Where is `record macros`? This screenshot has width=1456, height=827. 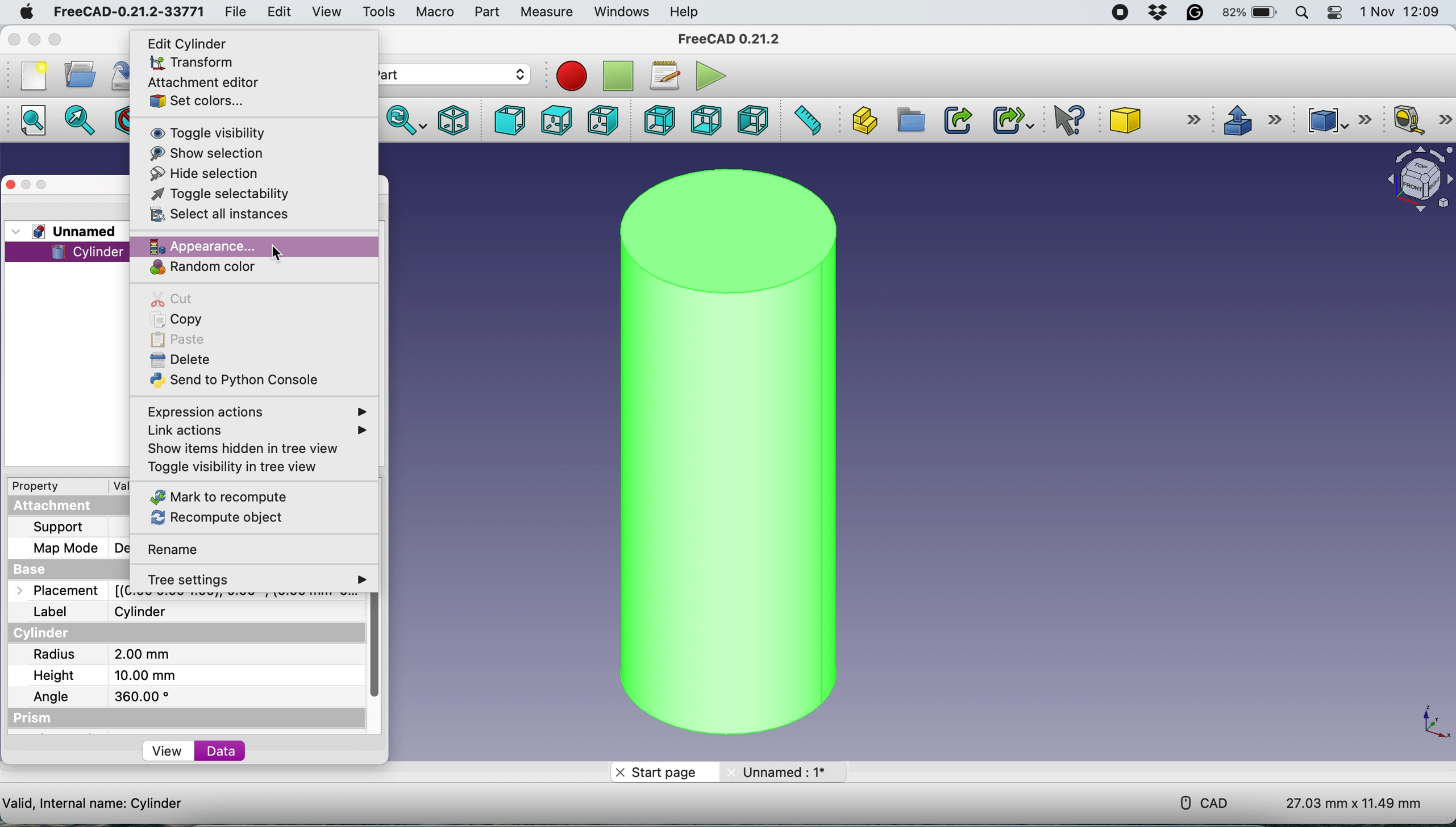 record macros is located at coordinates (570, 76).